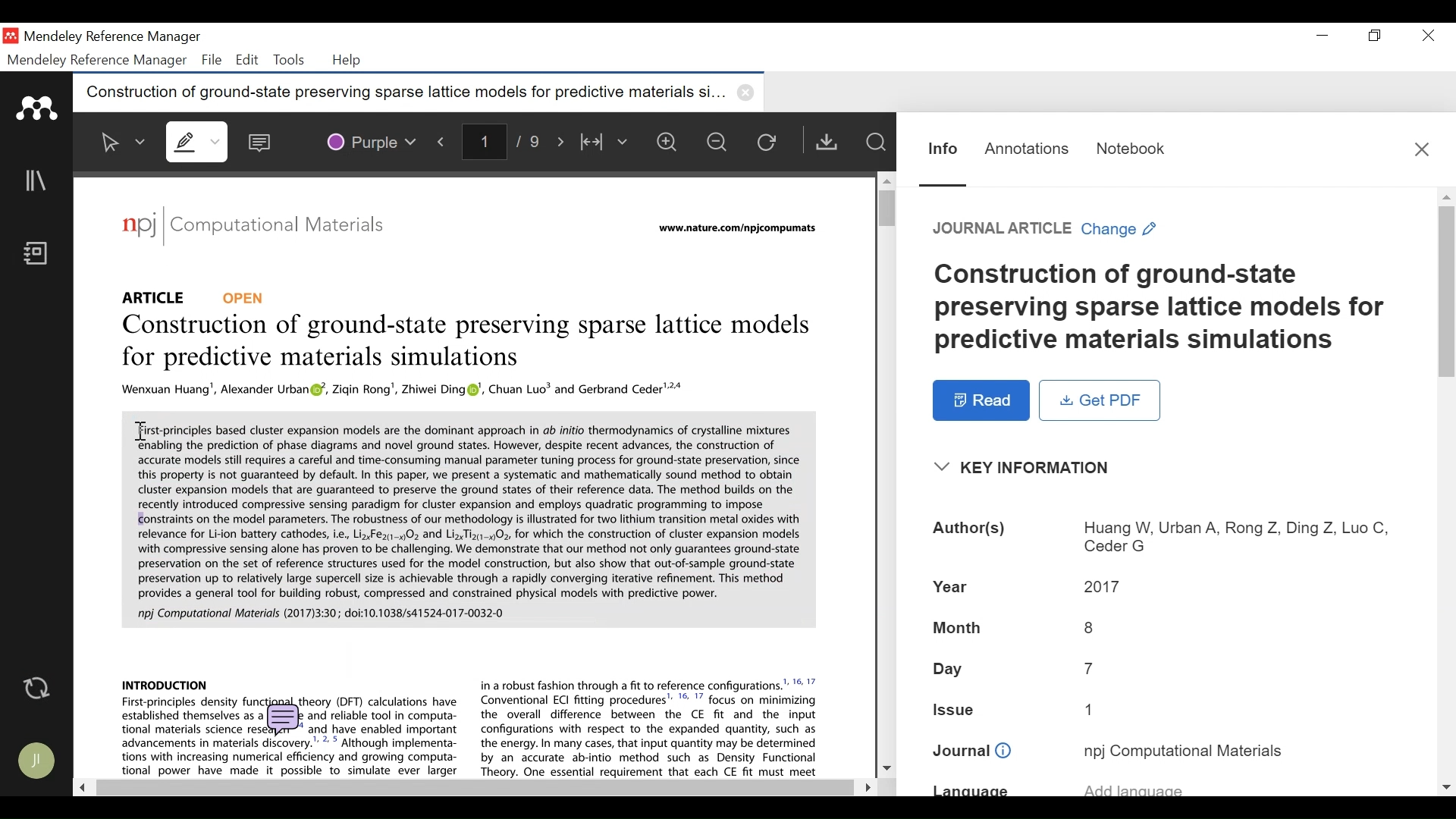  I want to click on Edit, so click(245, 60).